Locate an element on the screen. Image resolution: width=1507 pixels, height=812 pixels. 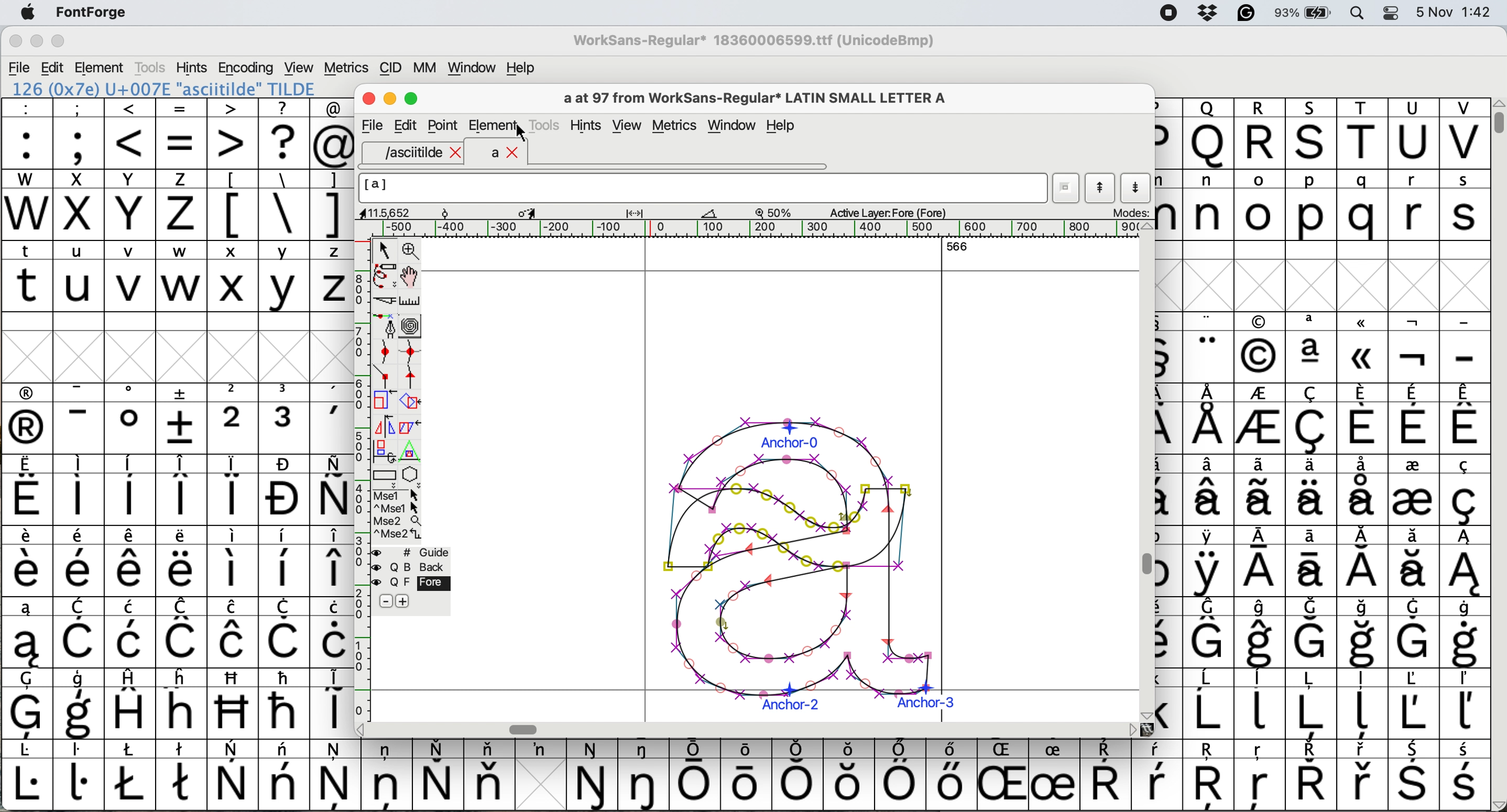
scale selection is located at coordinates (386, 400).